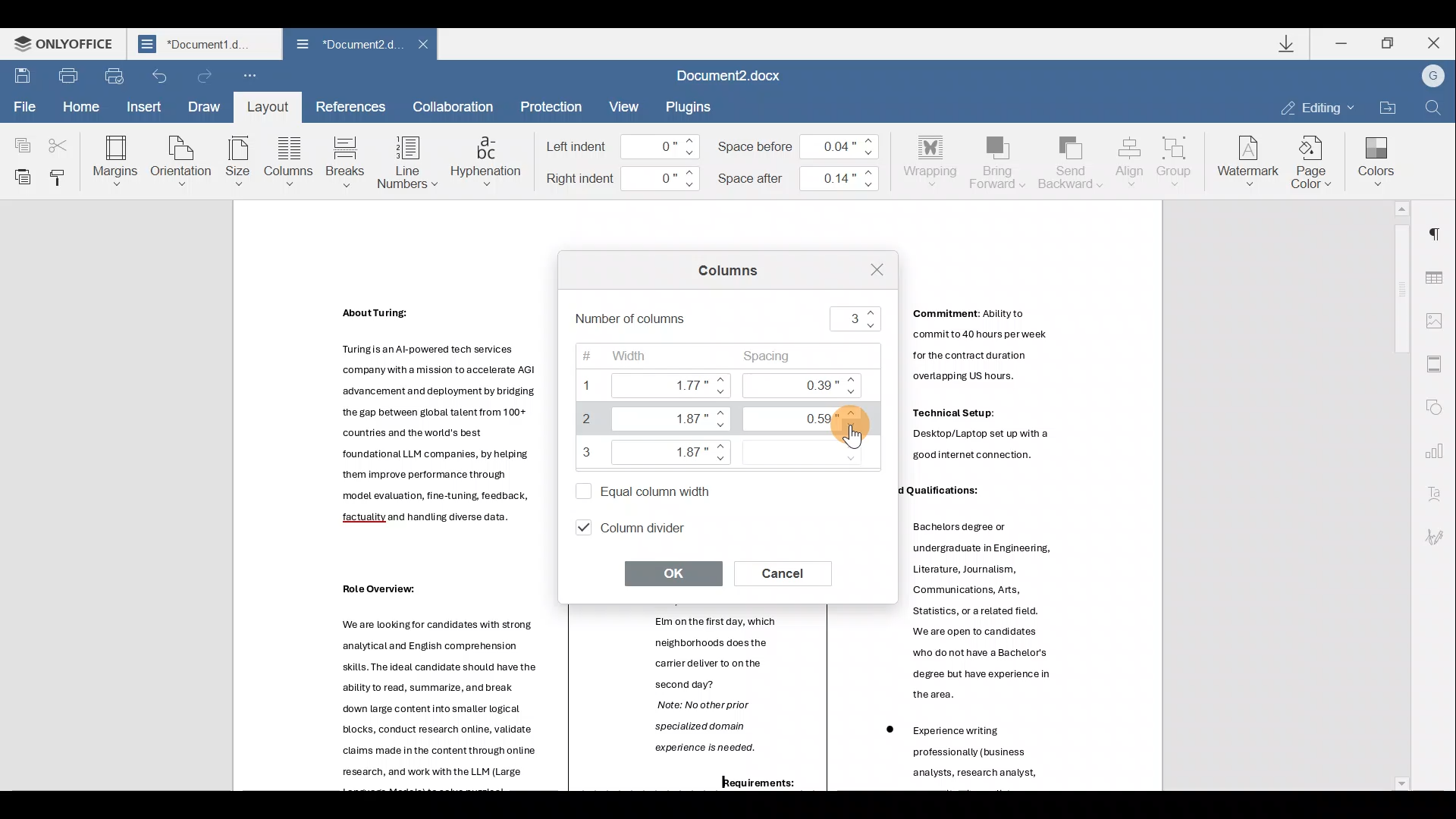 The height and width of the screenshot is (819, 1456). What do you see at coordinates (67, 47) in the screenshot?
I see `ONLYOFFICE` at bounding box center [67, 47].